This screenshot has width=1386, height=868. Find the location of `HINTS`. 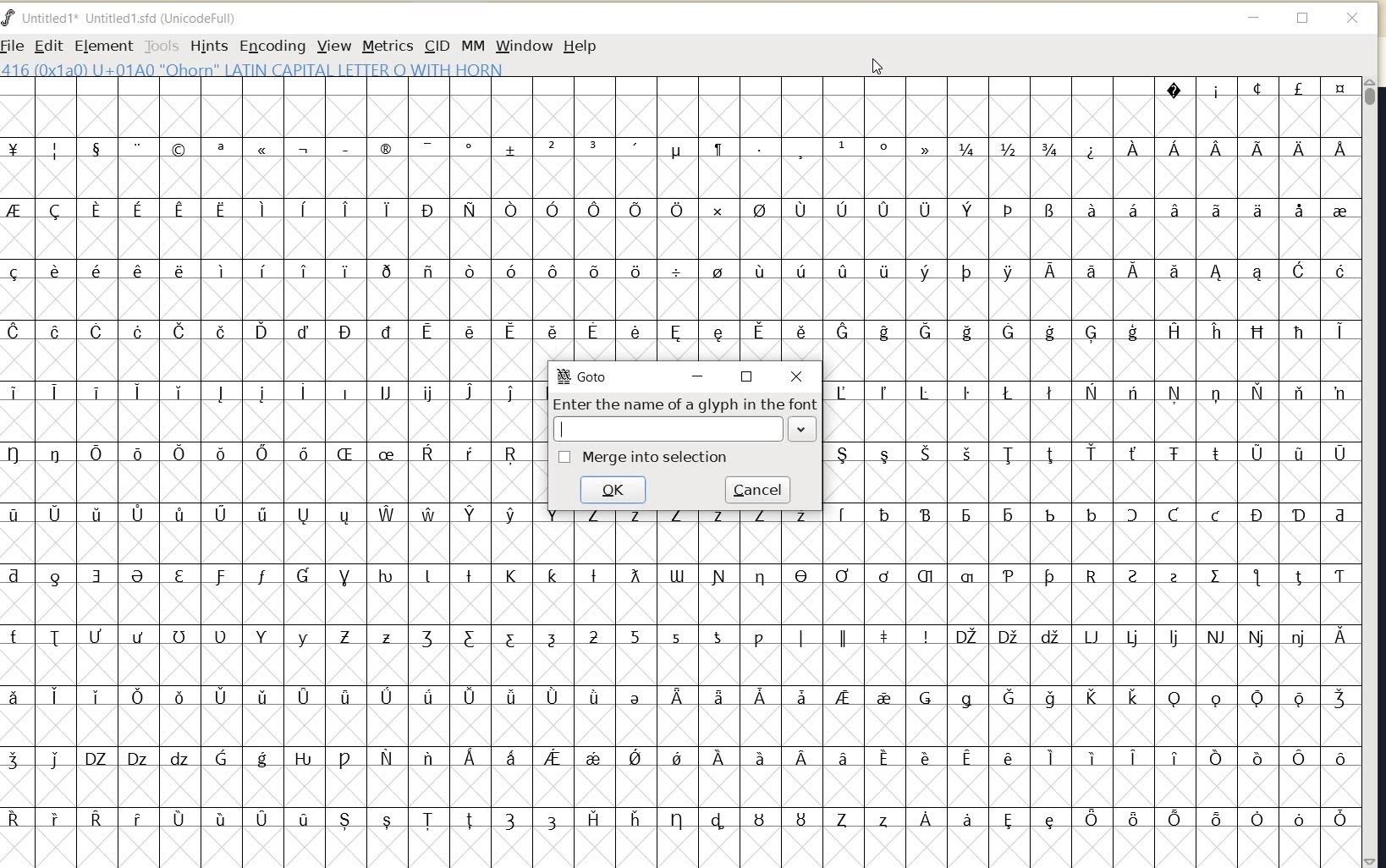

HINTS is located at coordinates (208, 47).